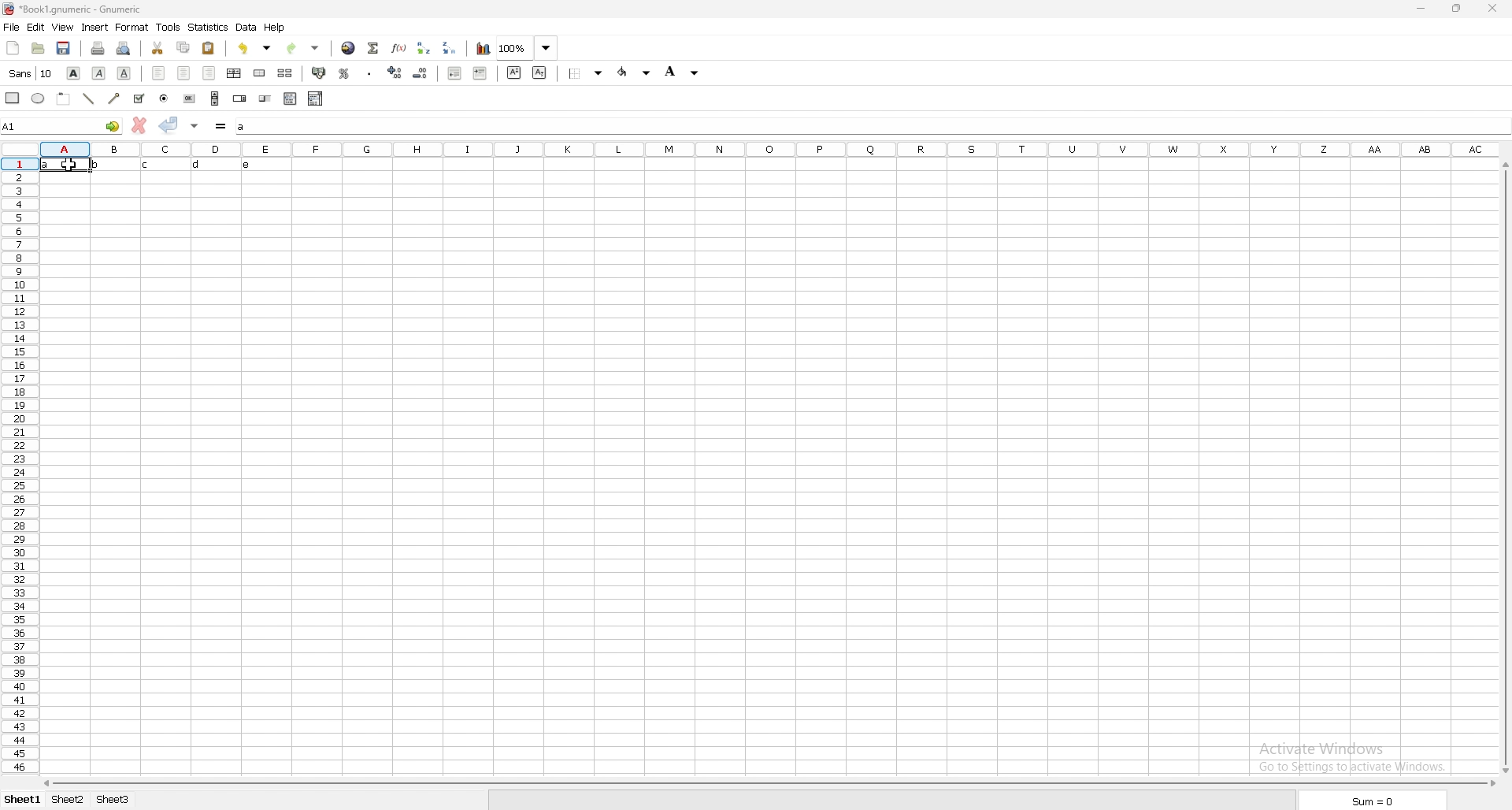 The width and height of the screenshot is (1512, 810). What do you see at coordinates (349, 48) in the screenshot?
I see `hyperlink` at bounding box center [349, 48].